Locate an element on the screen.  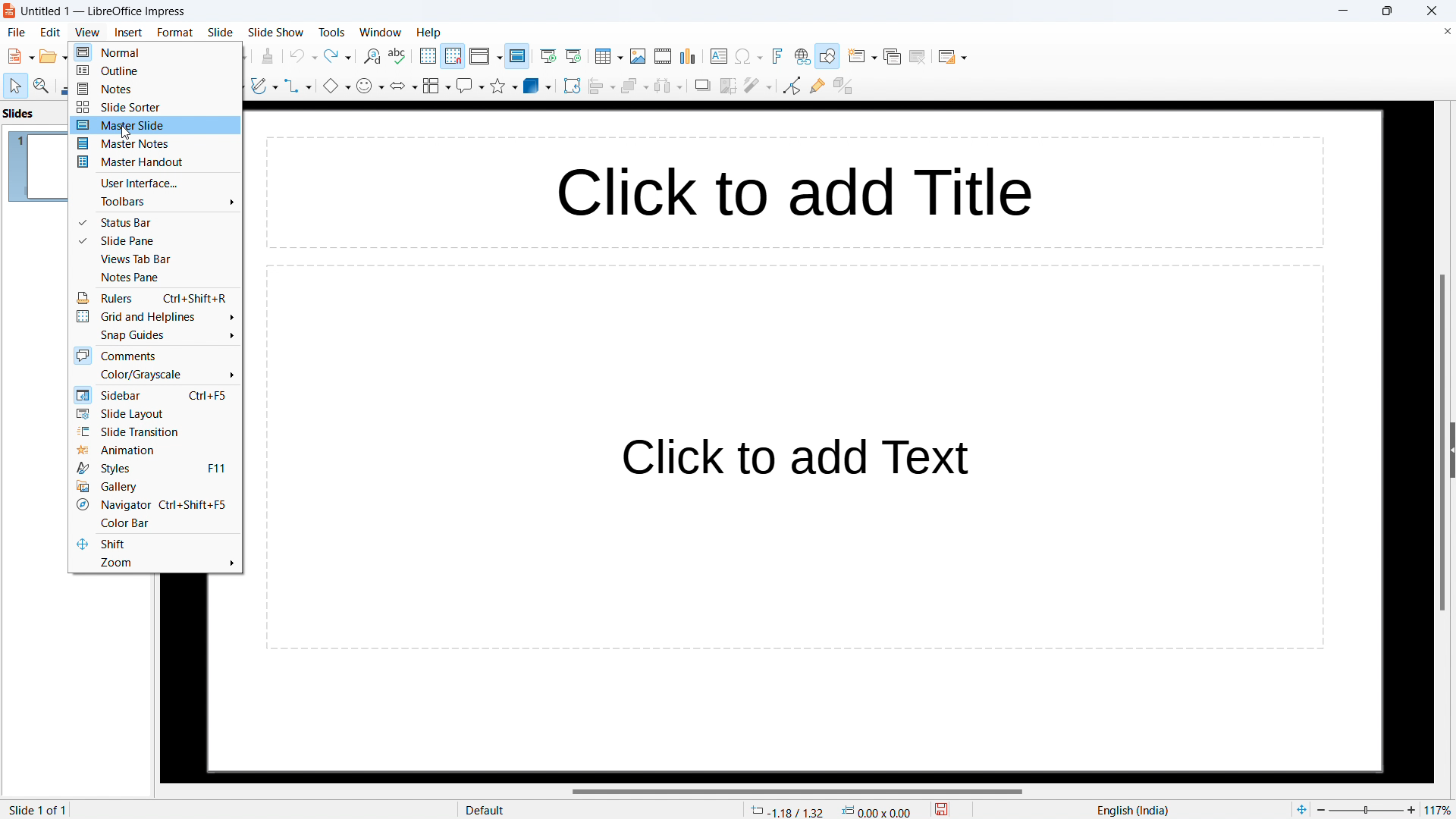
select at least three objects to distribute is located at coordinates (669, 86).